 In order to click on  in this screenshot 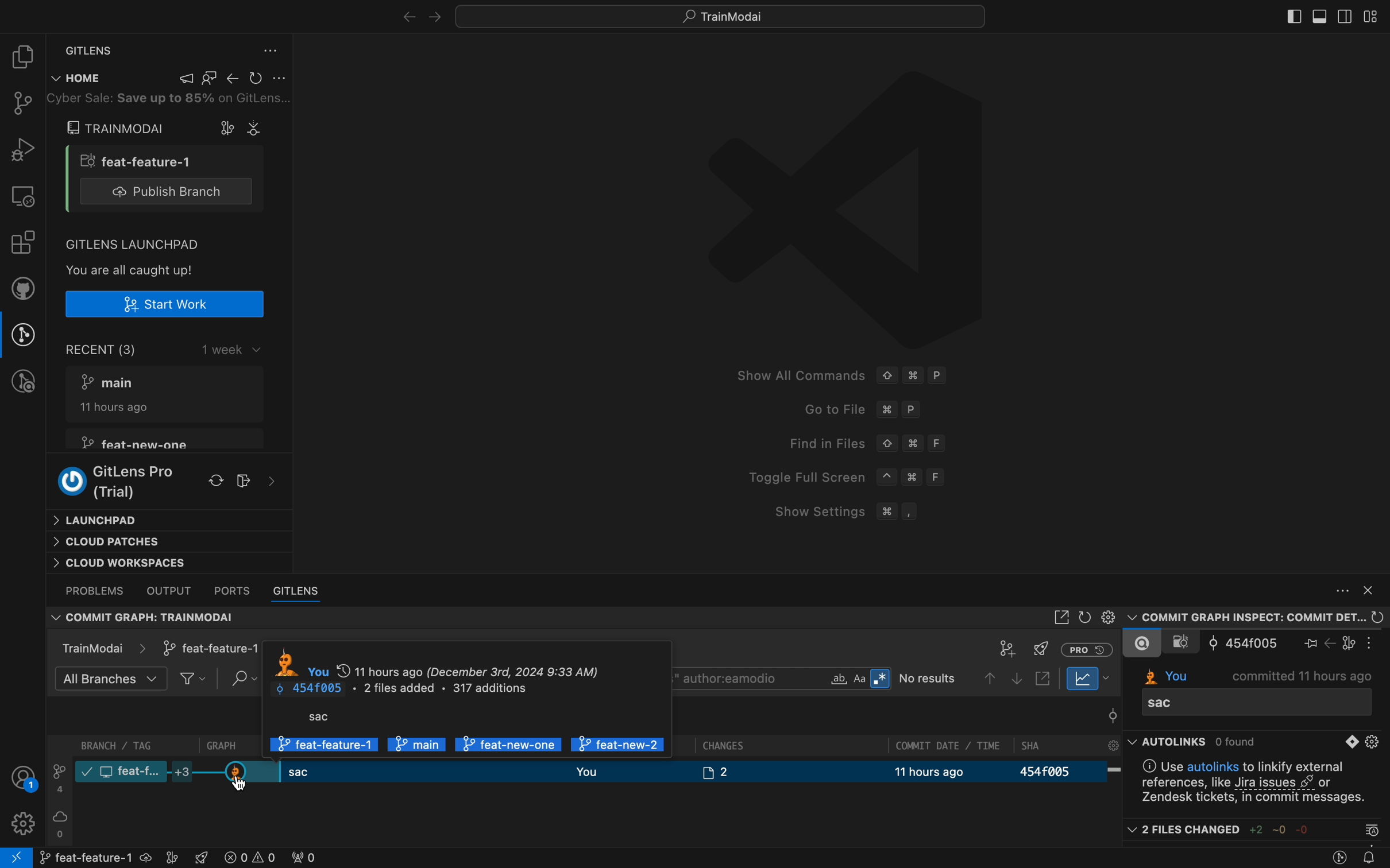, I will do `click(187, 79)`.